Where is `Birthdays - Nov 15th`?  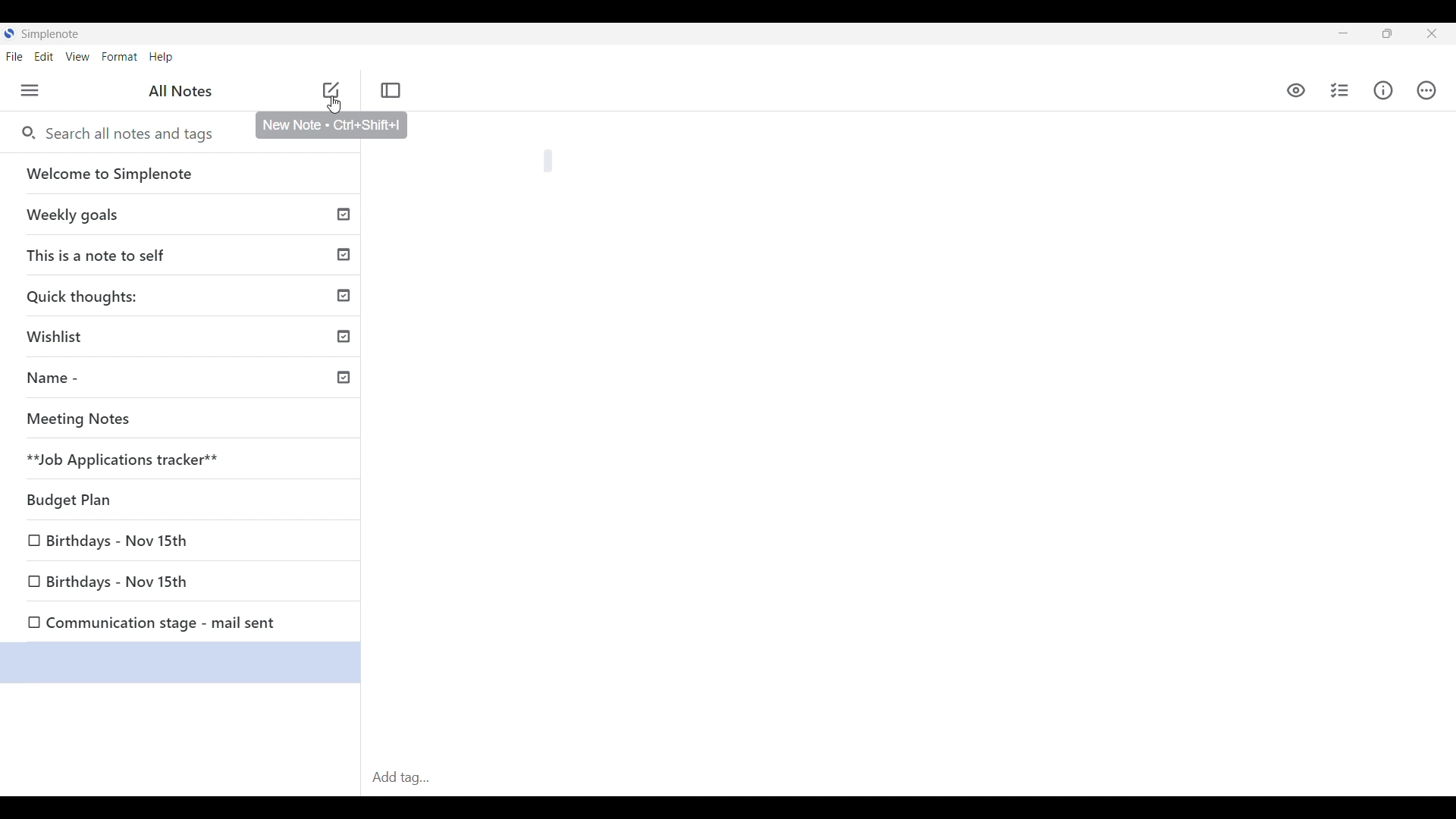 Birthdays - Nov 15th is located at coordinates (182, 584).